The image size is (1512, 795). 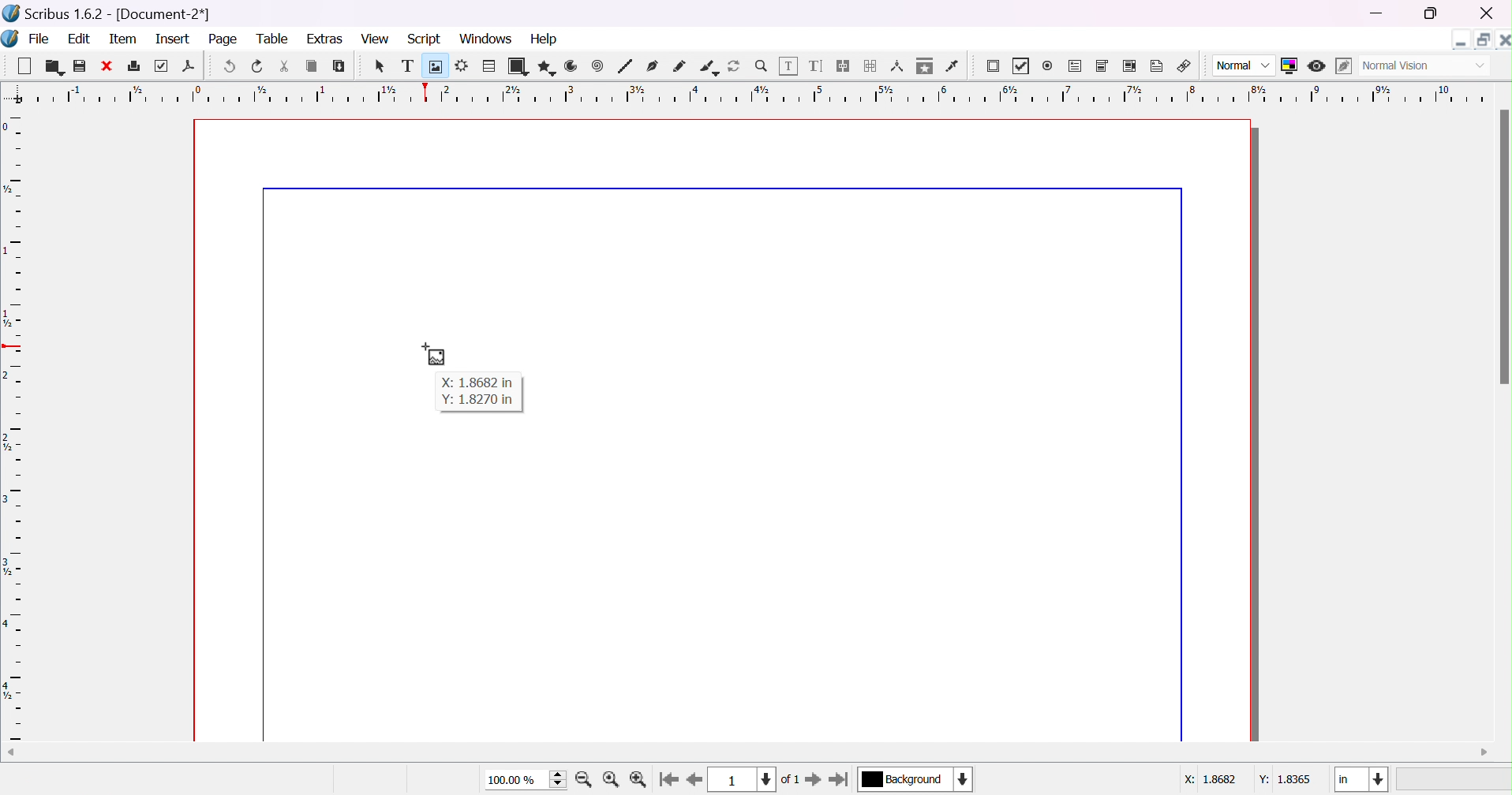 What do you see at coordinates (708, 65) in the screenshot?
I see `calligraphic line` at bounding box center [708, 65].